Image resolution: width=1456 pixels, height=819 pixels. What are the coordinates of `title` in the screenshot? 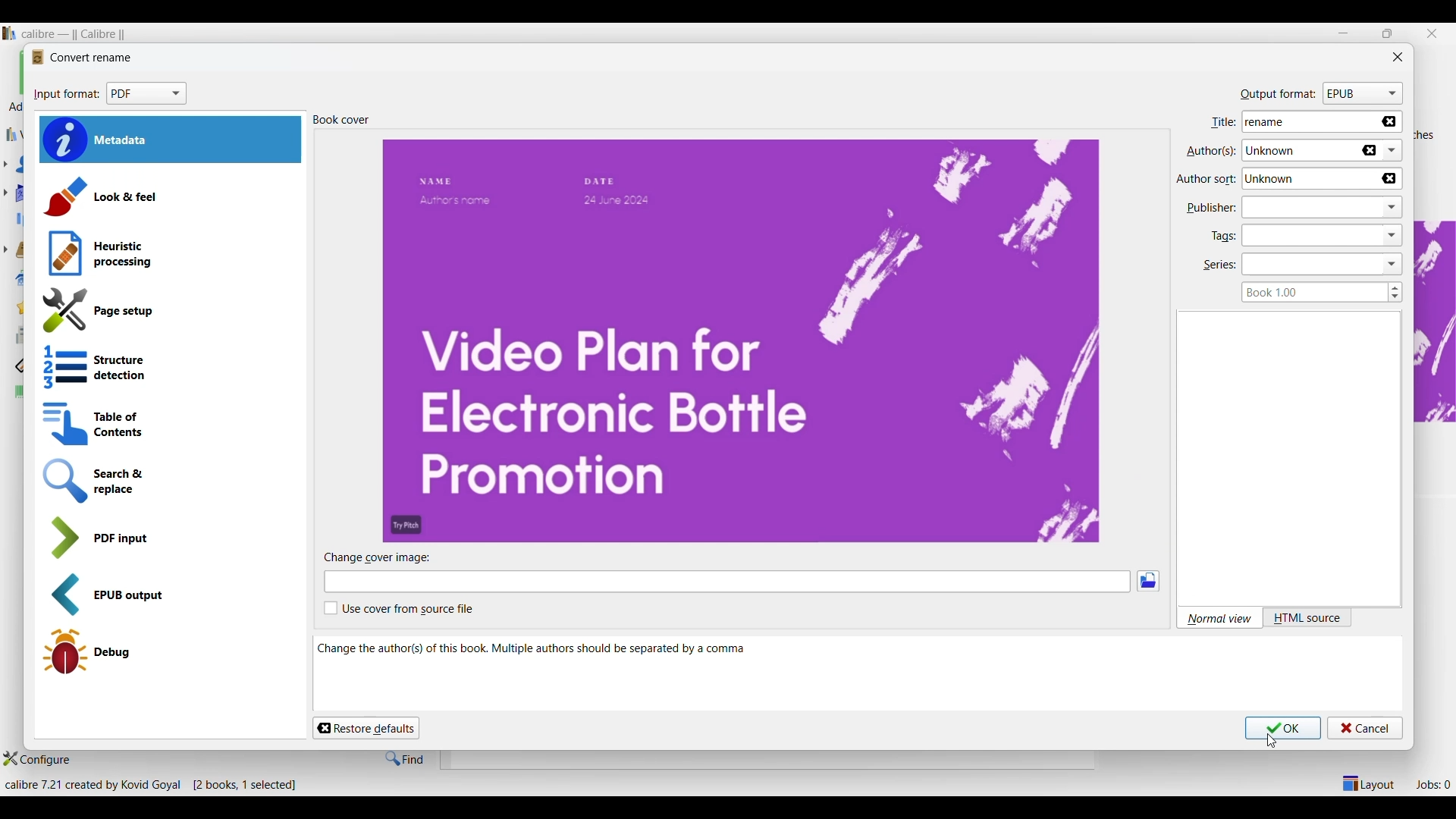 It's located at (1220, 123).